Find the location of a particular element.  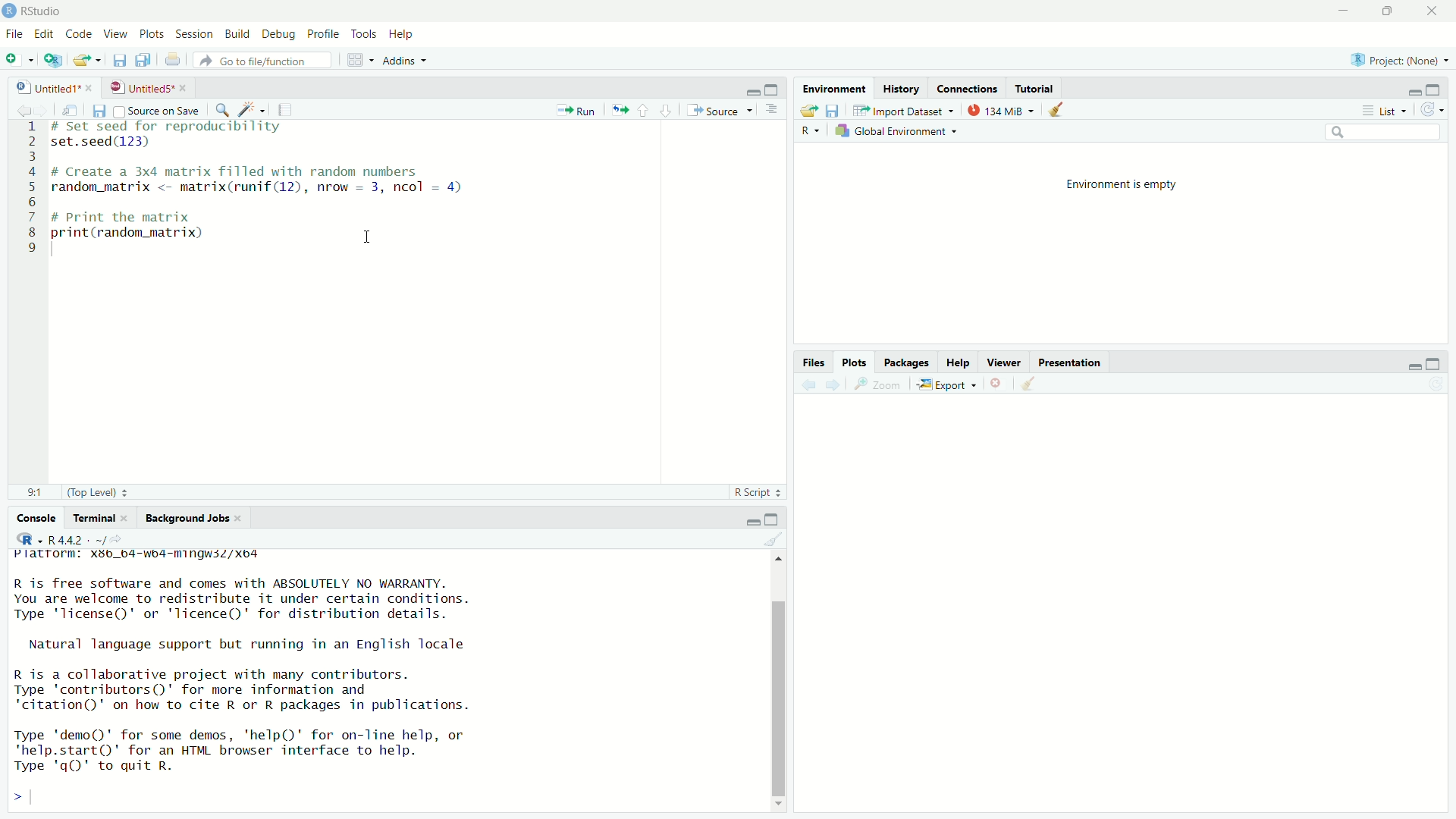

maximise is located at coordinates (773, 520).